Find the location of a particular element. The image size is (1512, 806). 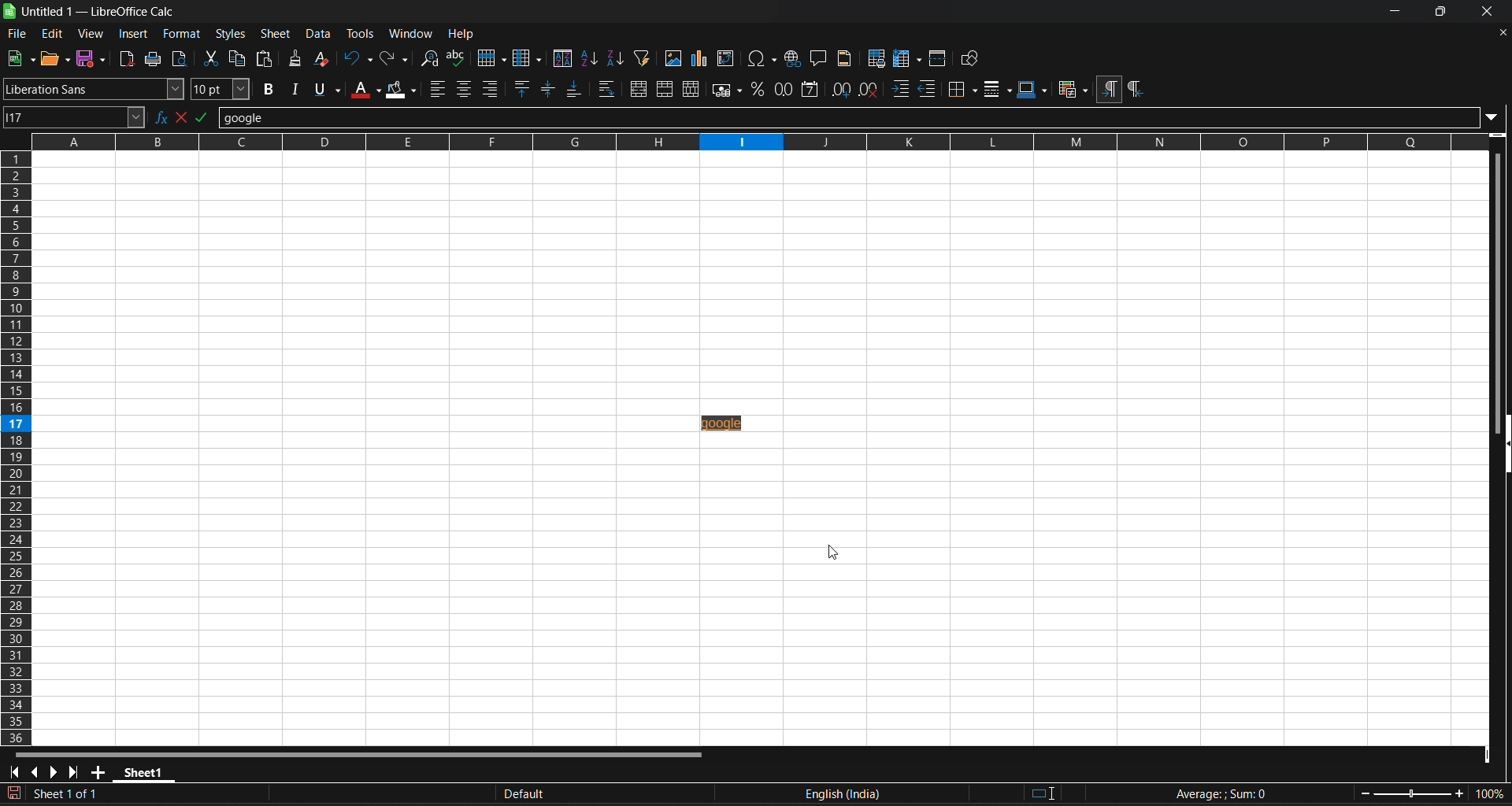

center vertically is located at coordinates (550, 88).